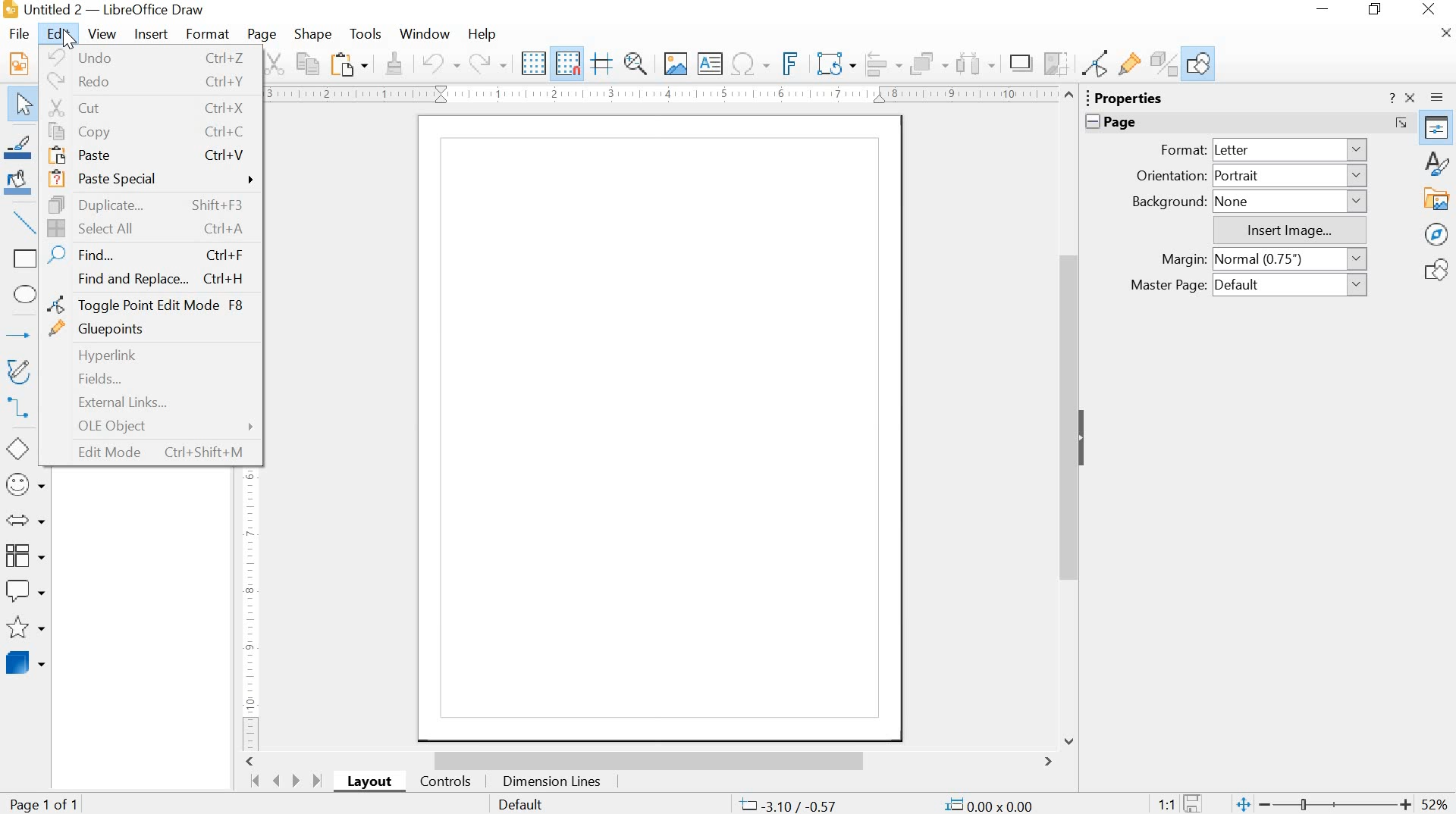 This screenshot has height=814, width=1456. What do you see at coordinates (1326, 11) in the screenshot?
I see `minimize` at bounding box center [1326, 11].